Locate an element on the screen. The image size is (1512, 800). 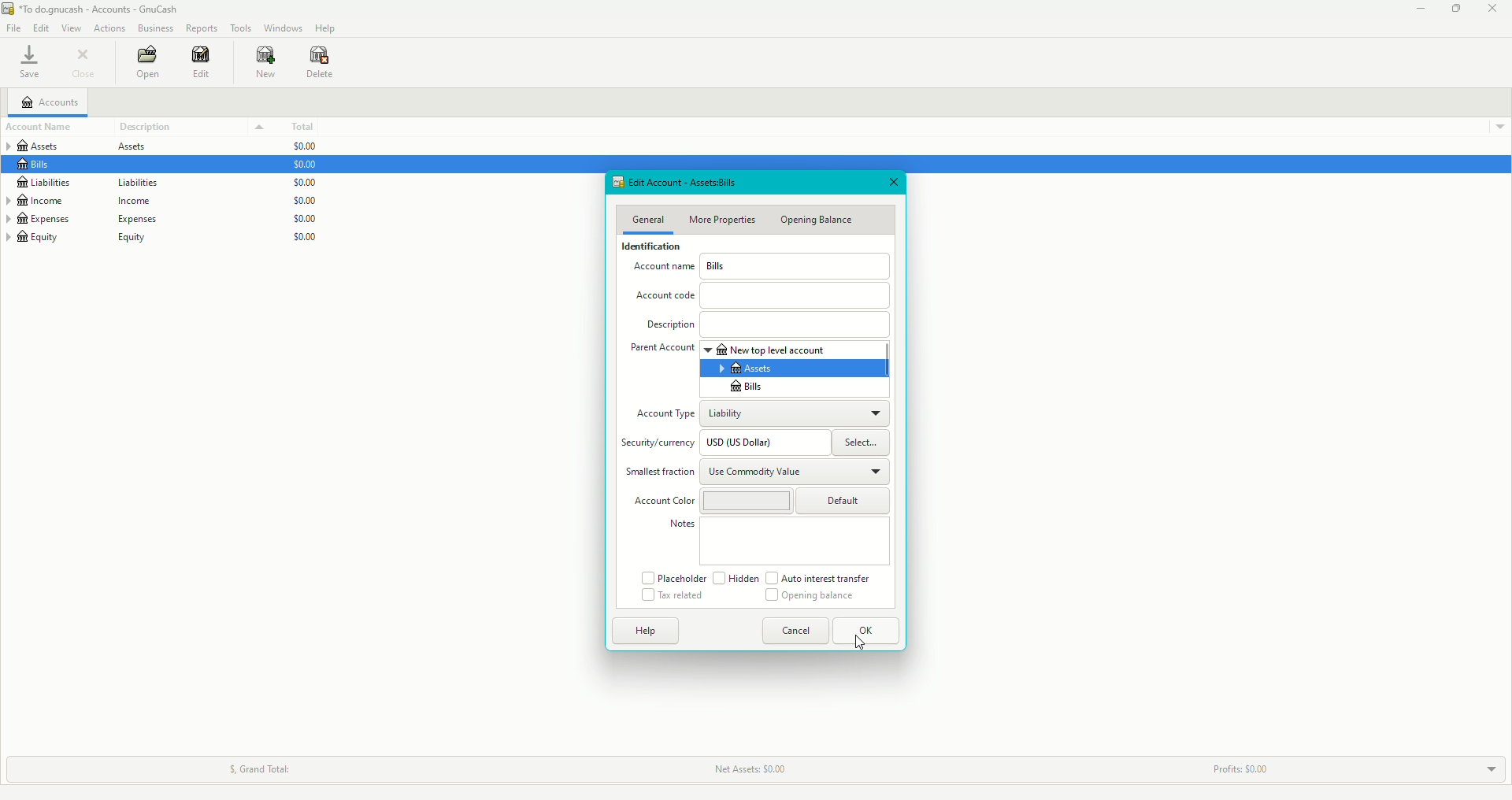
Description is located at coordinates (767, 323).